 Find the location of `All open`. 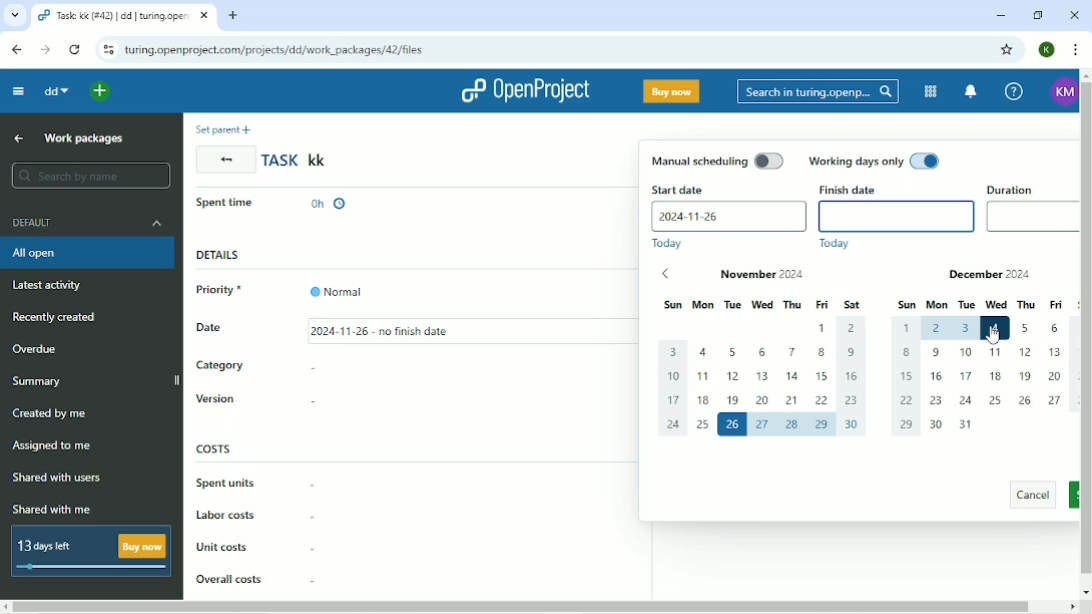

All open is located at coordinates (87, 255).